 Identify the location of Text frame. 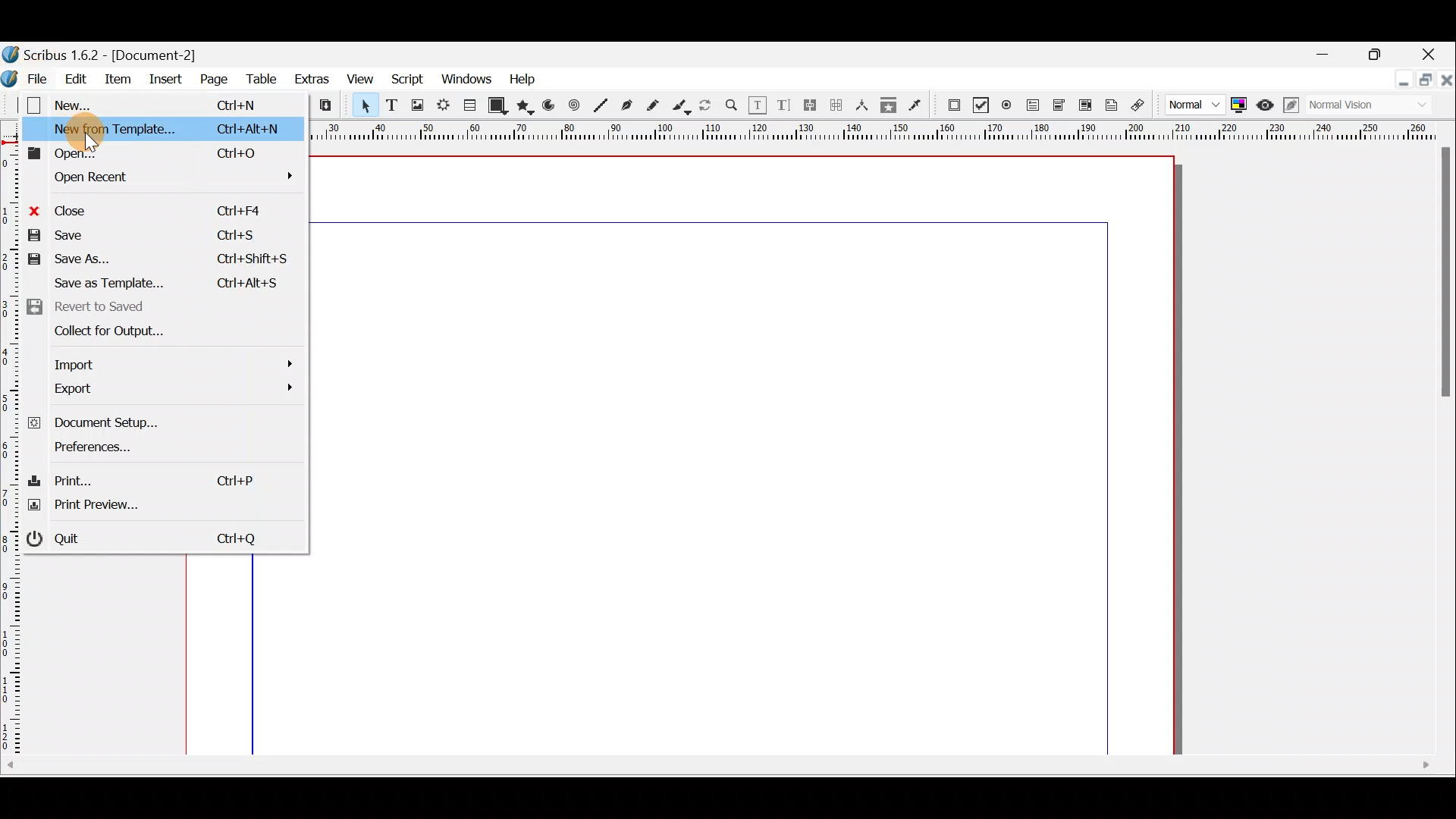
(392, 108).